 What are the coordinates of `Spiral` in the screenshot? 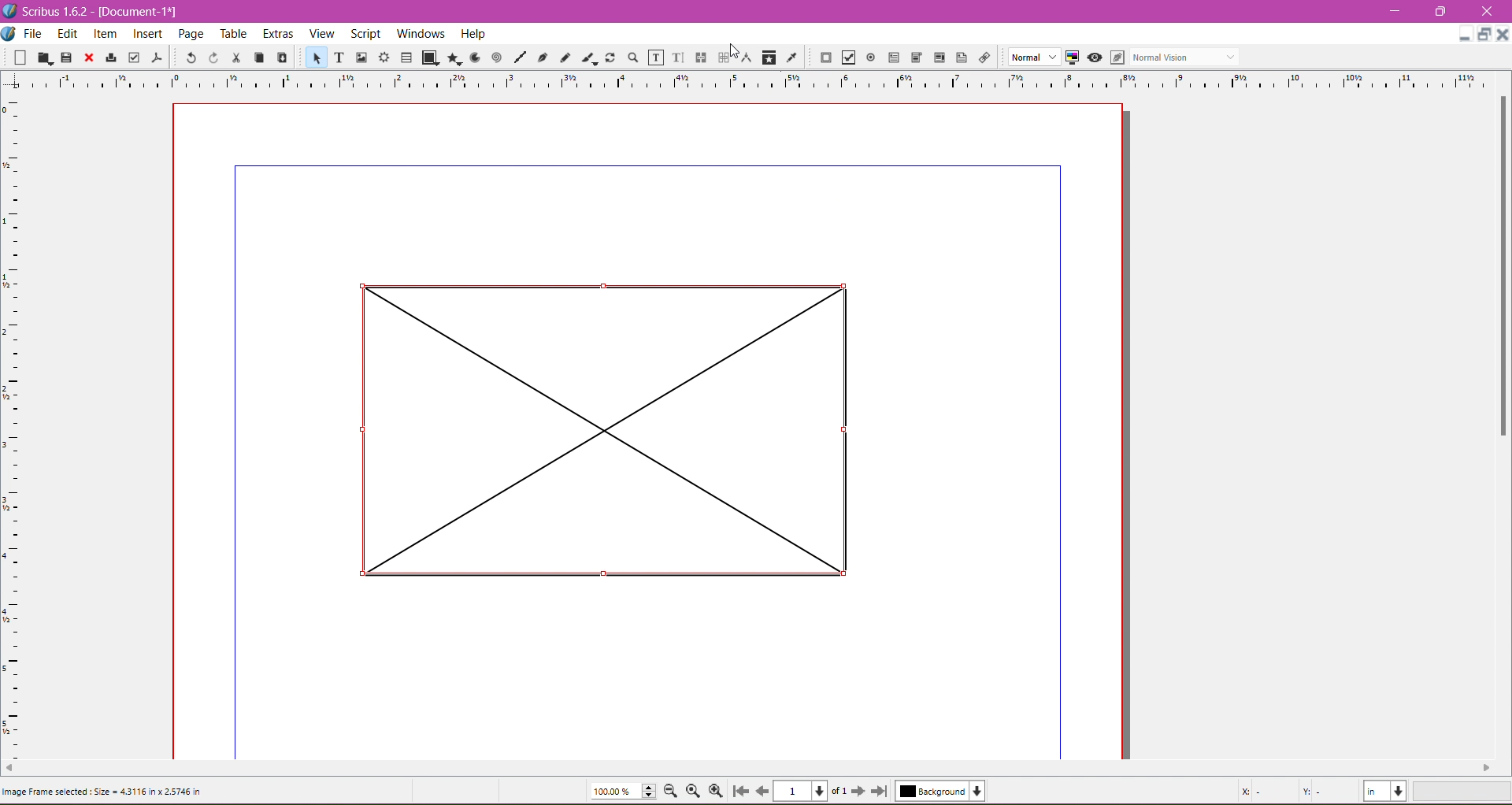 It's located at (495, 58).